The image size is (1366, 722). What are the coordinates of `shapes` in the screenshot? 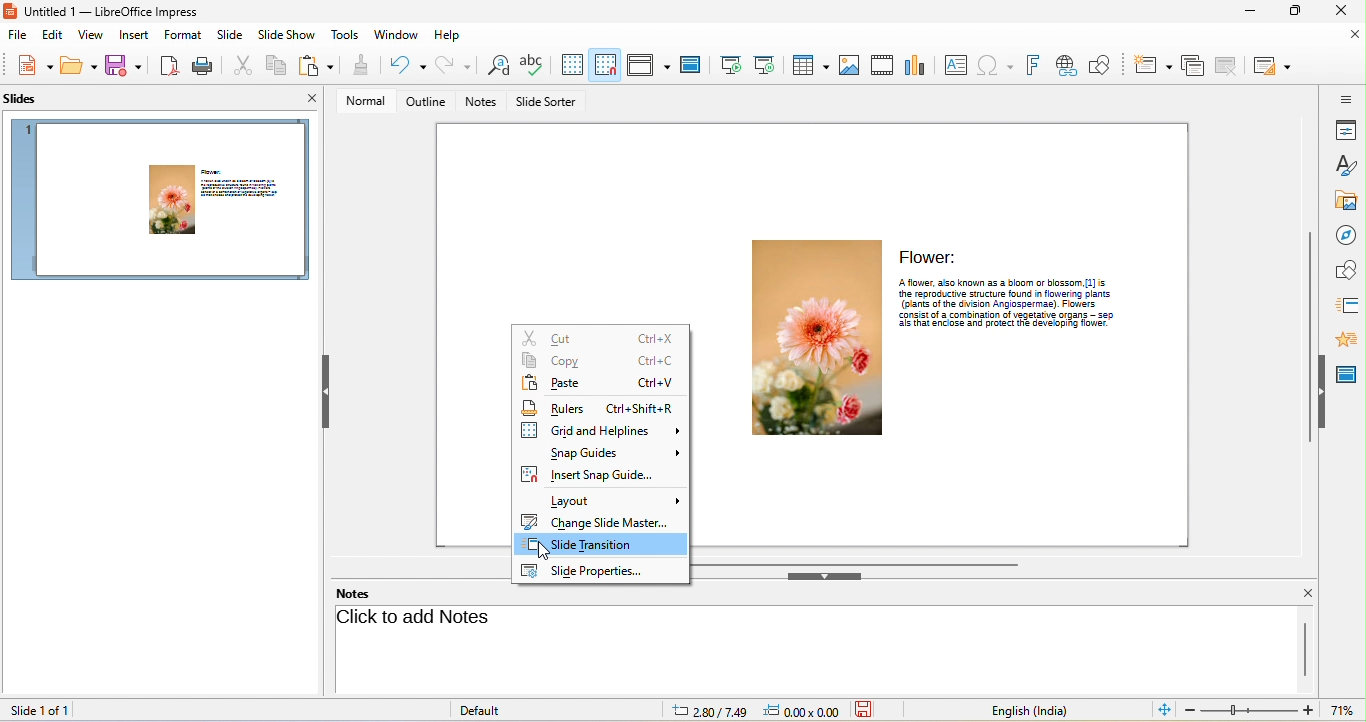 It's located at (1347, 270).